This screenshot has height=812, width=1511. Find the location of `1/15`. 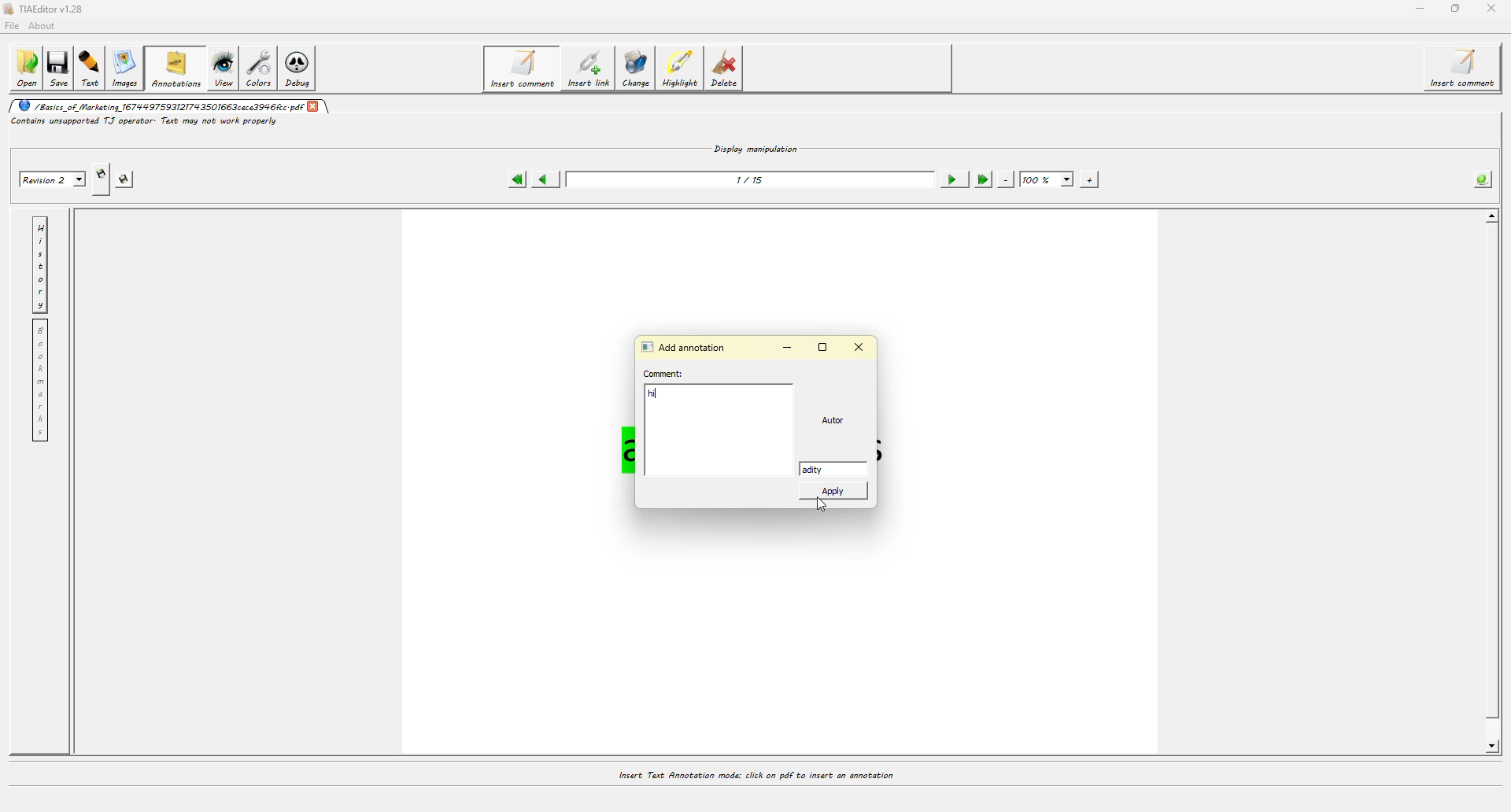

1/15 is located at coordinates (752, 179).